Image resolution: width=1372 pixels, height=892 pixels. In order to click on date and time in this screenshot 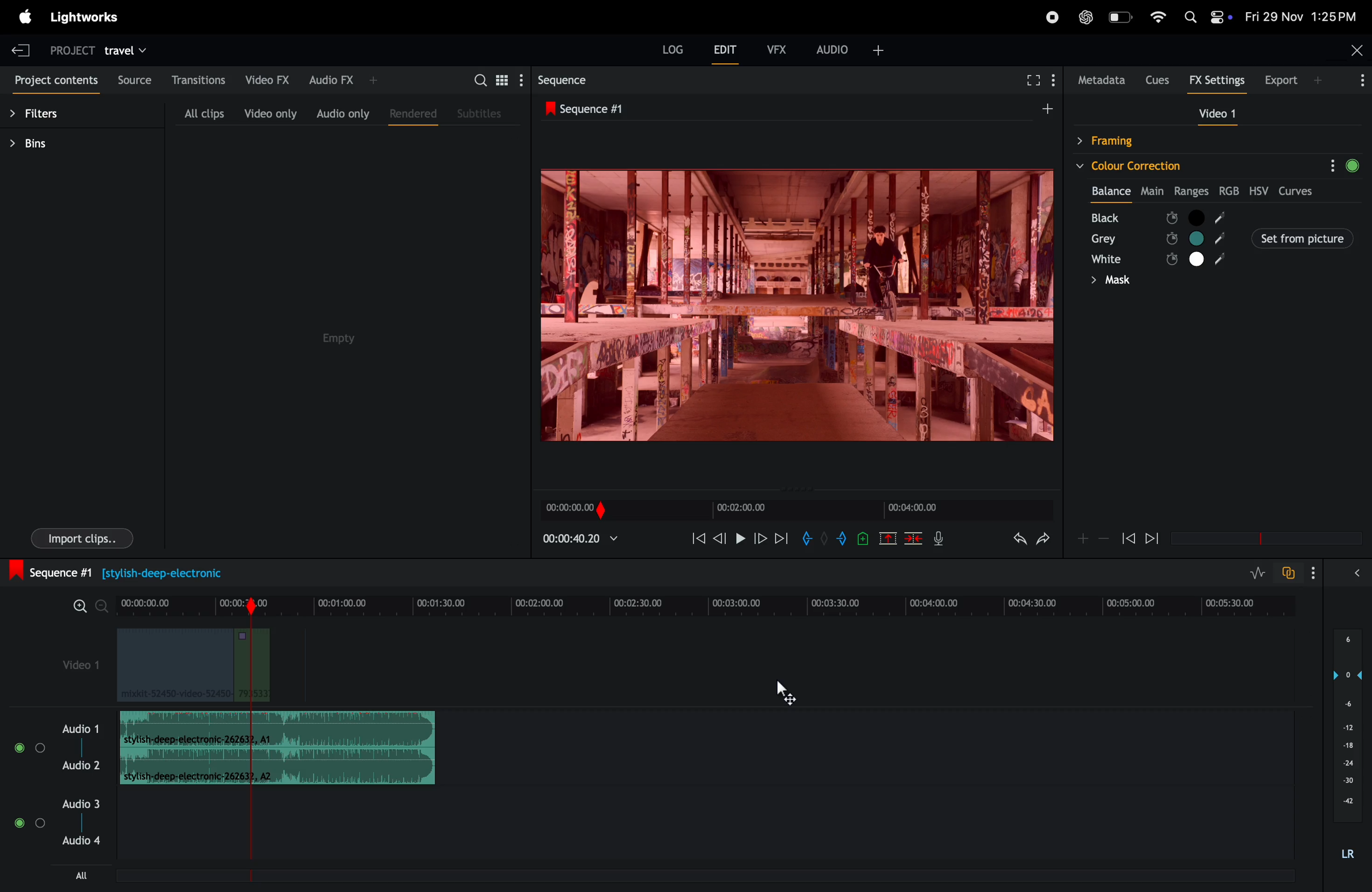, I will do `click(1302, 16)`.